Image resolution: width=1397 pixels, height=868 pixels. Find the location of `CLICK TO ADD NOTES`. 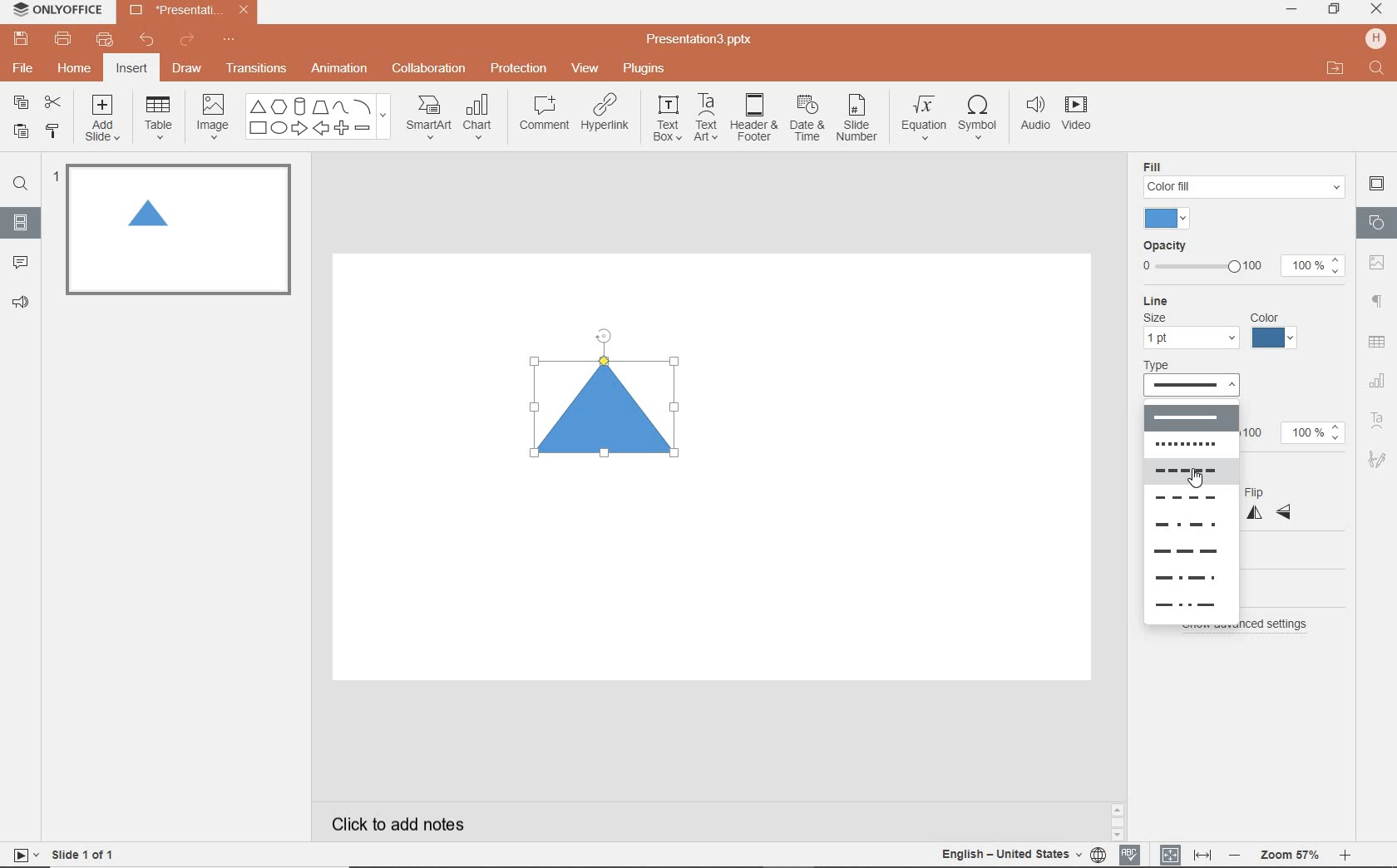

CLICK TO ADD NOTES is located at coordinates (413, 824).